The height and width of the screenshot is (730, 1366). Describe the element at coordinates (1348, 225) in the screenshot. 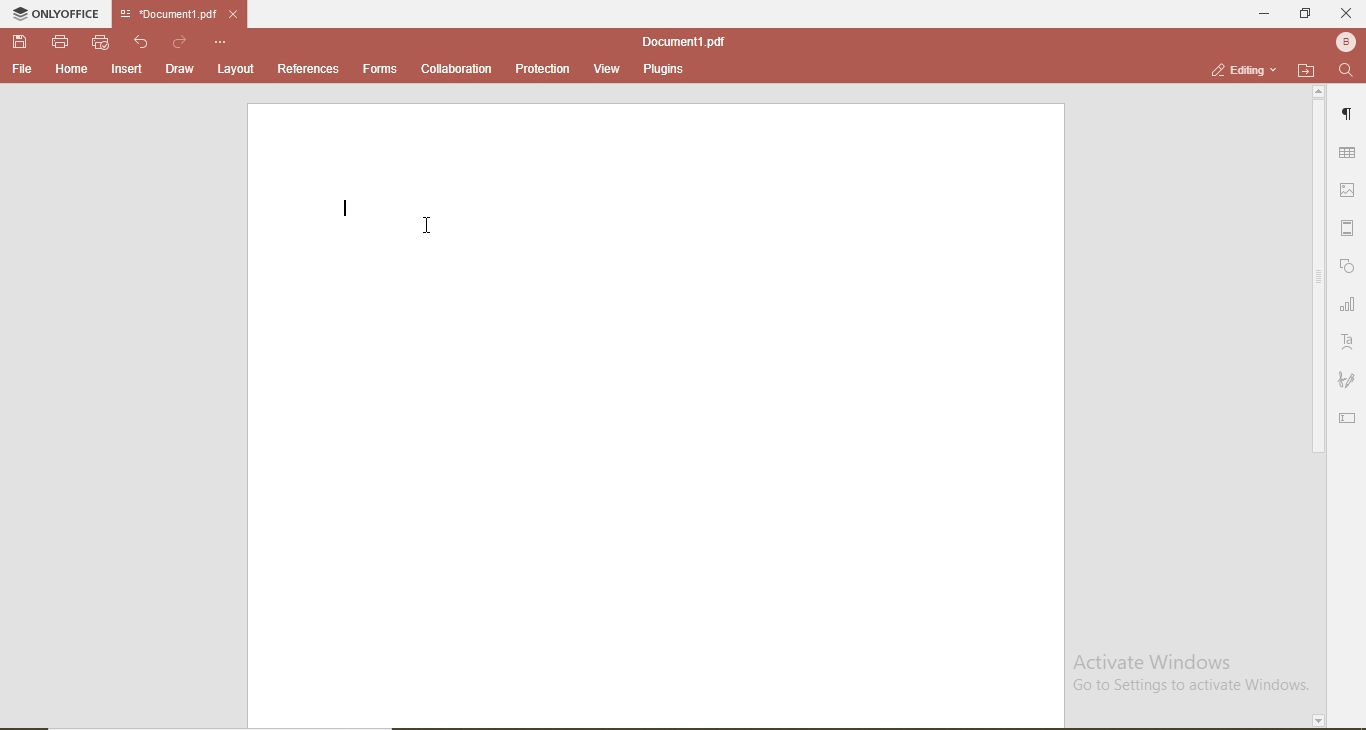

I see `margin` at that location.